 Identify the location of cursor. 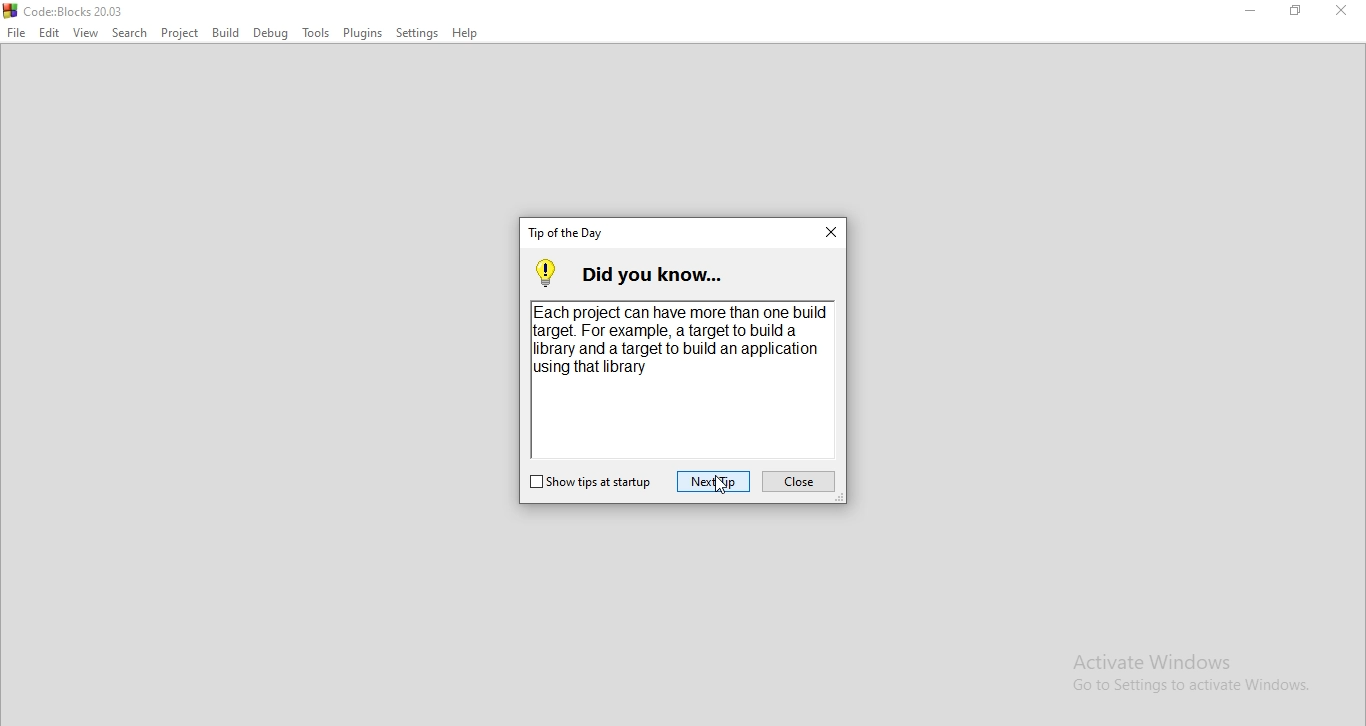
(715, 486).